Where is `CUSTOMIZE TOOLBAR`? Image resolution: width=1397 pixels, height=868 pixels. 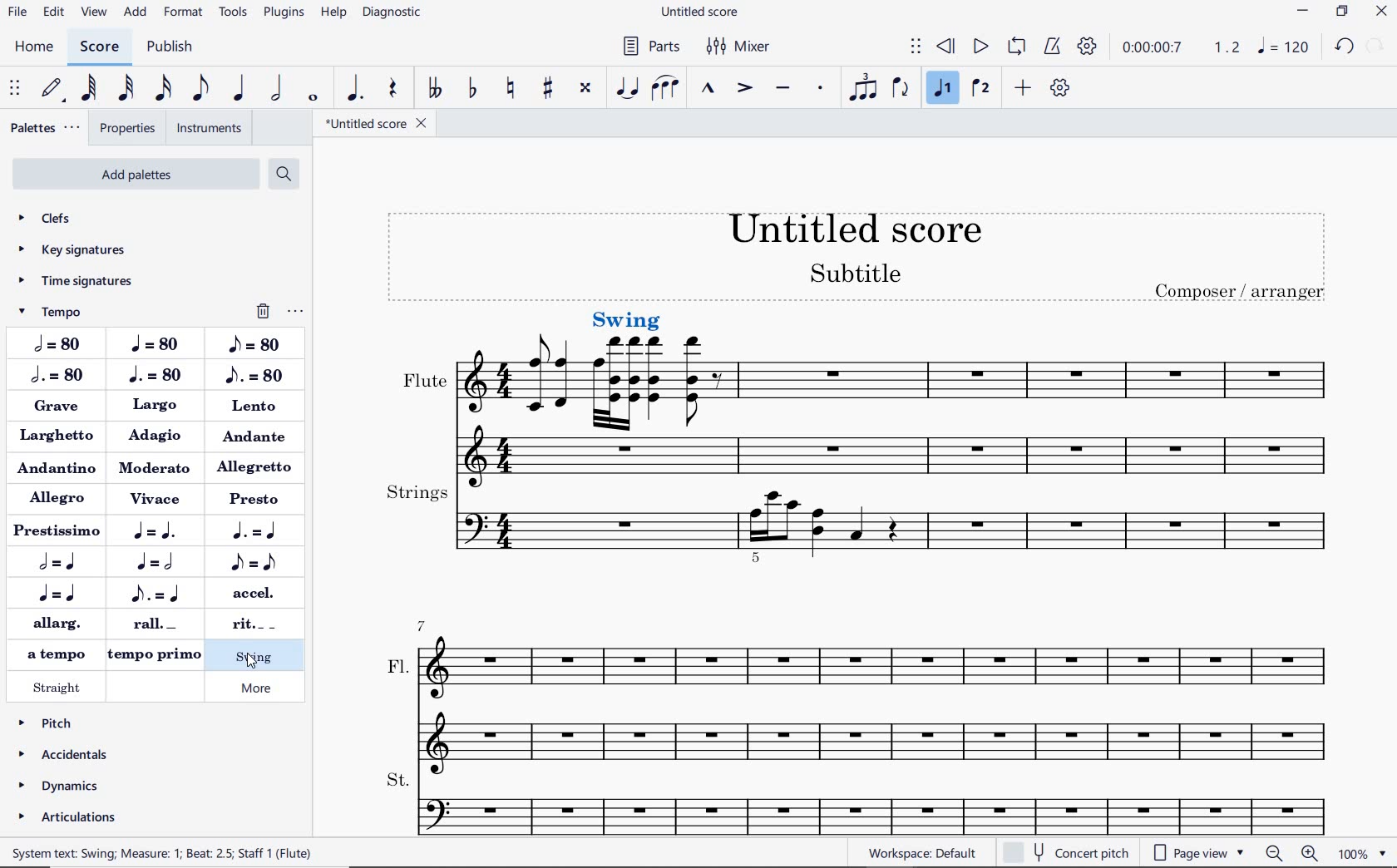
CUSTOMIZE TOOLBAR is located at coordinates (1062, 91).